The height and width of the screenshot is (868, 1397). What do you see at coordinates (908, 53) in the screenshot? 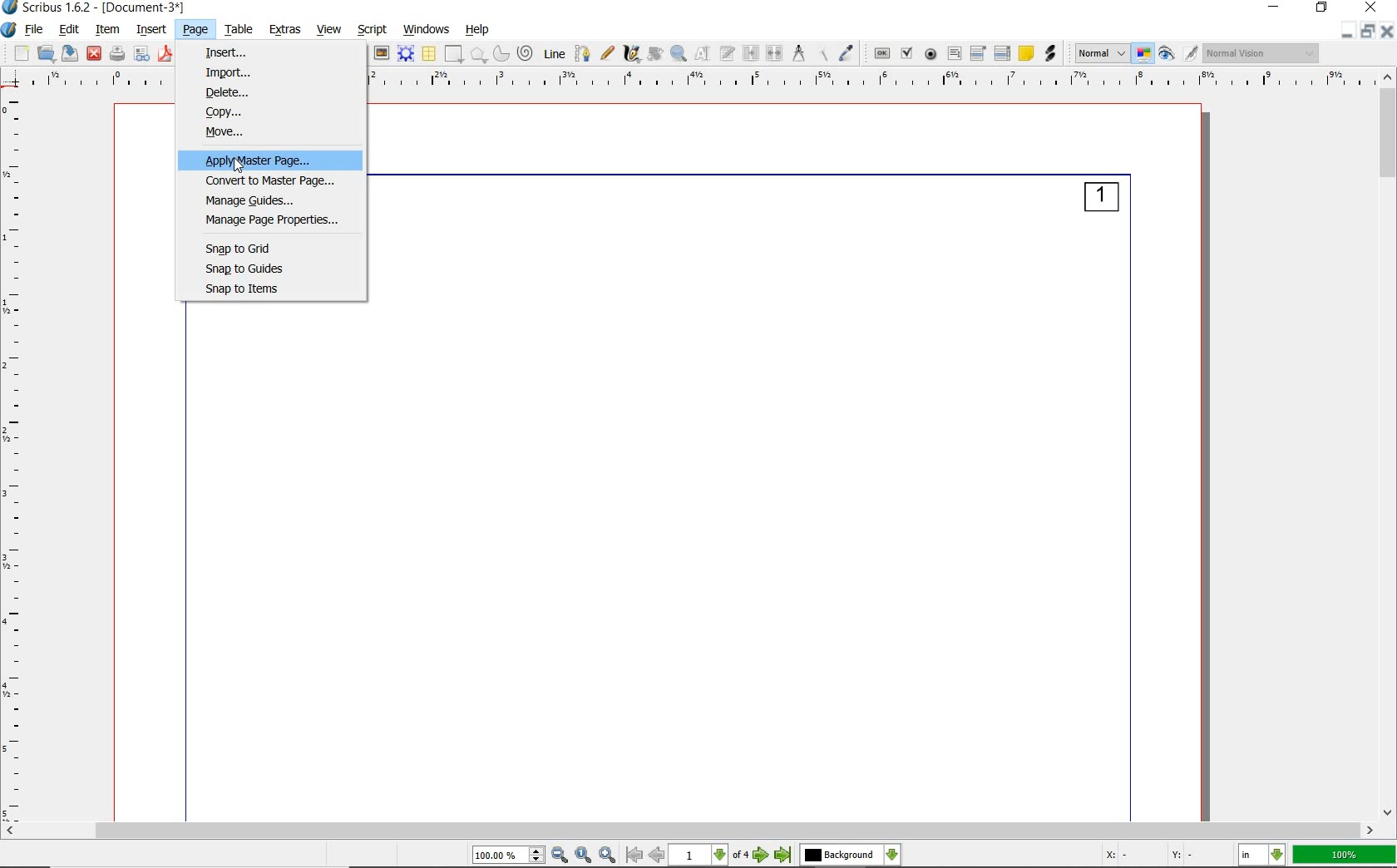
I see `pdf check box` at bounding box center [908, 53].